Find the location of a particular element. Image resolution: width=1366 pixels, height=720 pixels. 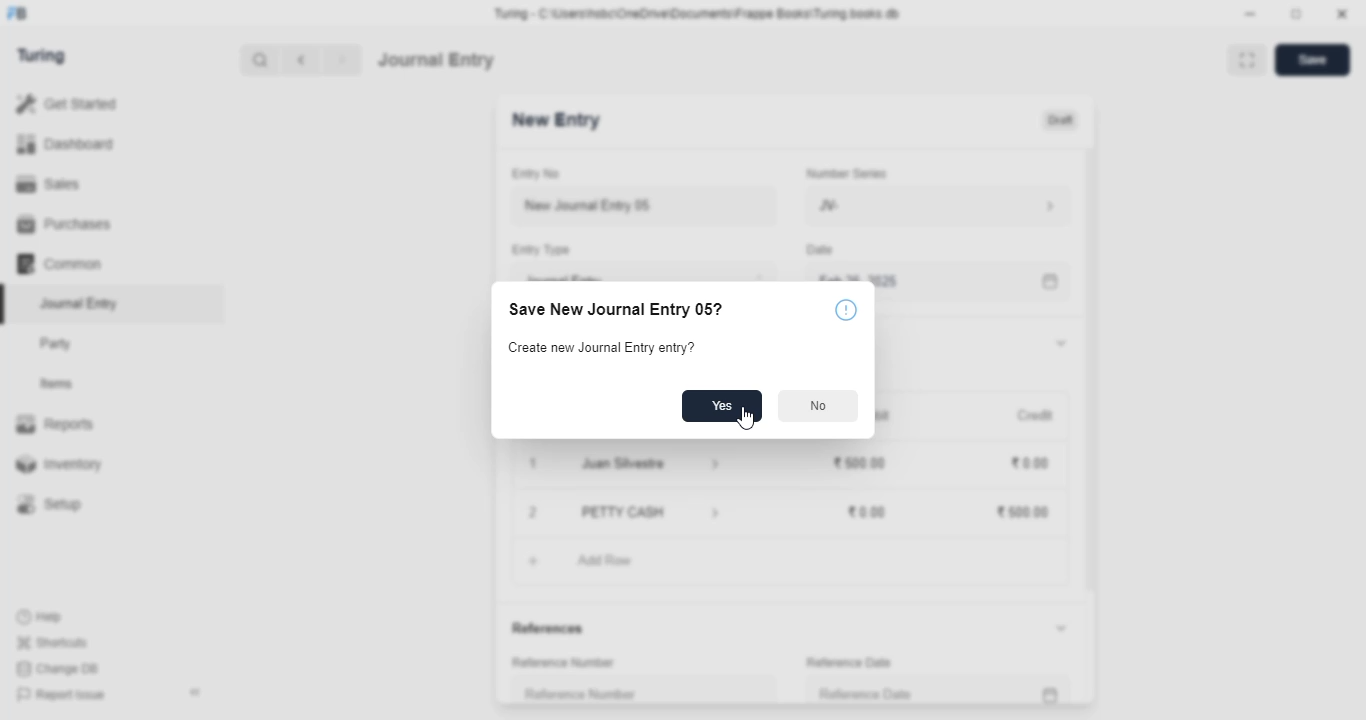

toggle sidebar is located at coordinates (197, 692).